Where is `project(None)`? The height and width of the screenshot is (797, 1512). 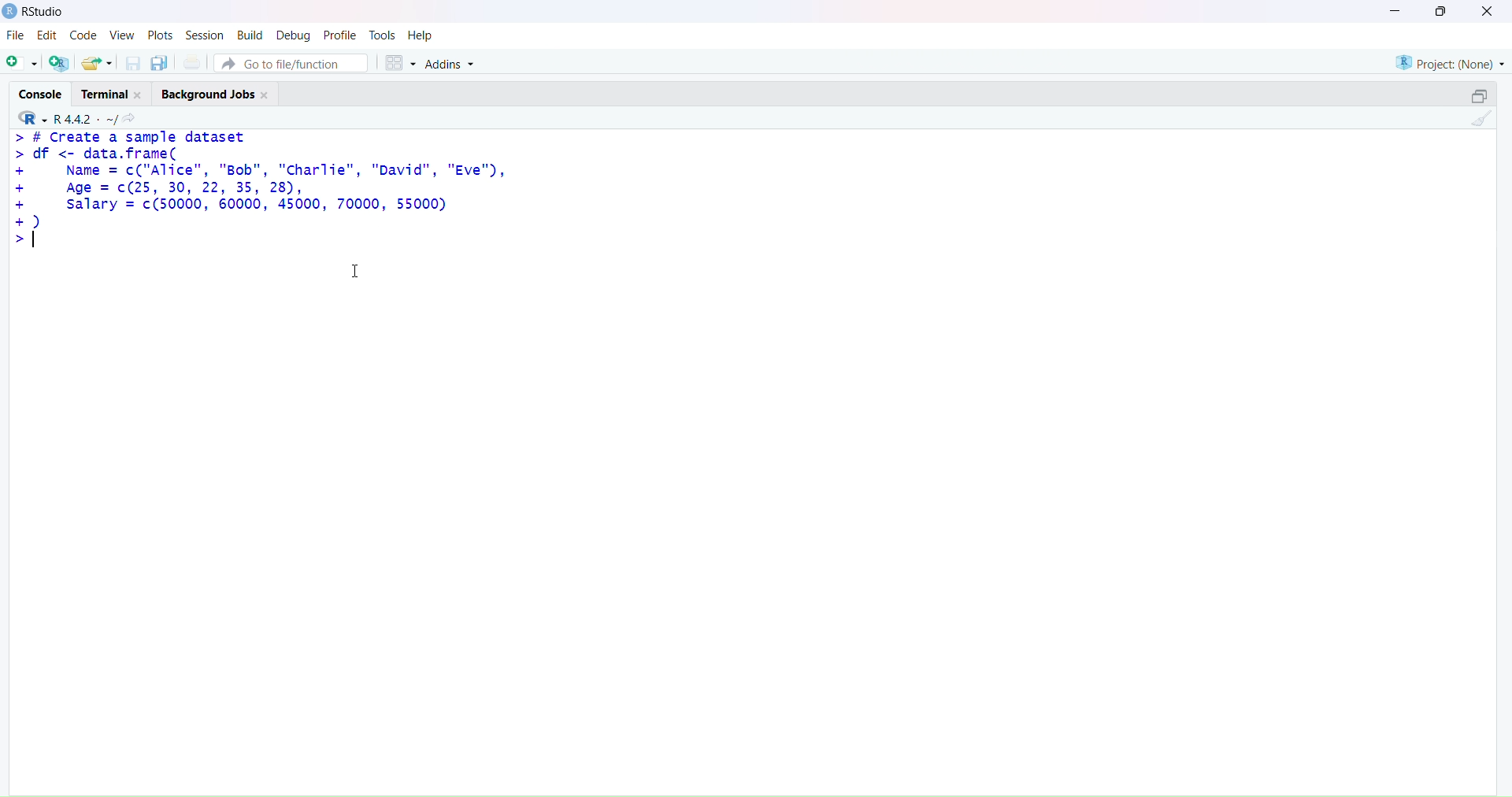 project(None) is located at coordinates (1449, 61).